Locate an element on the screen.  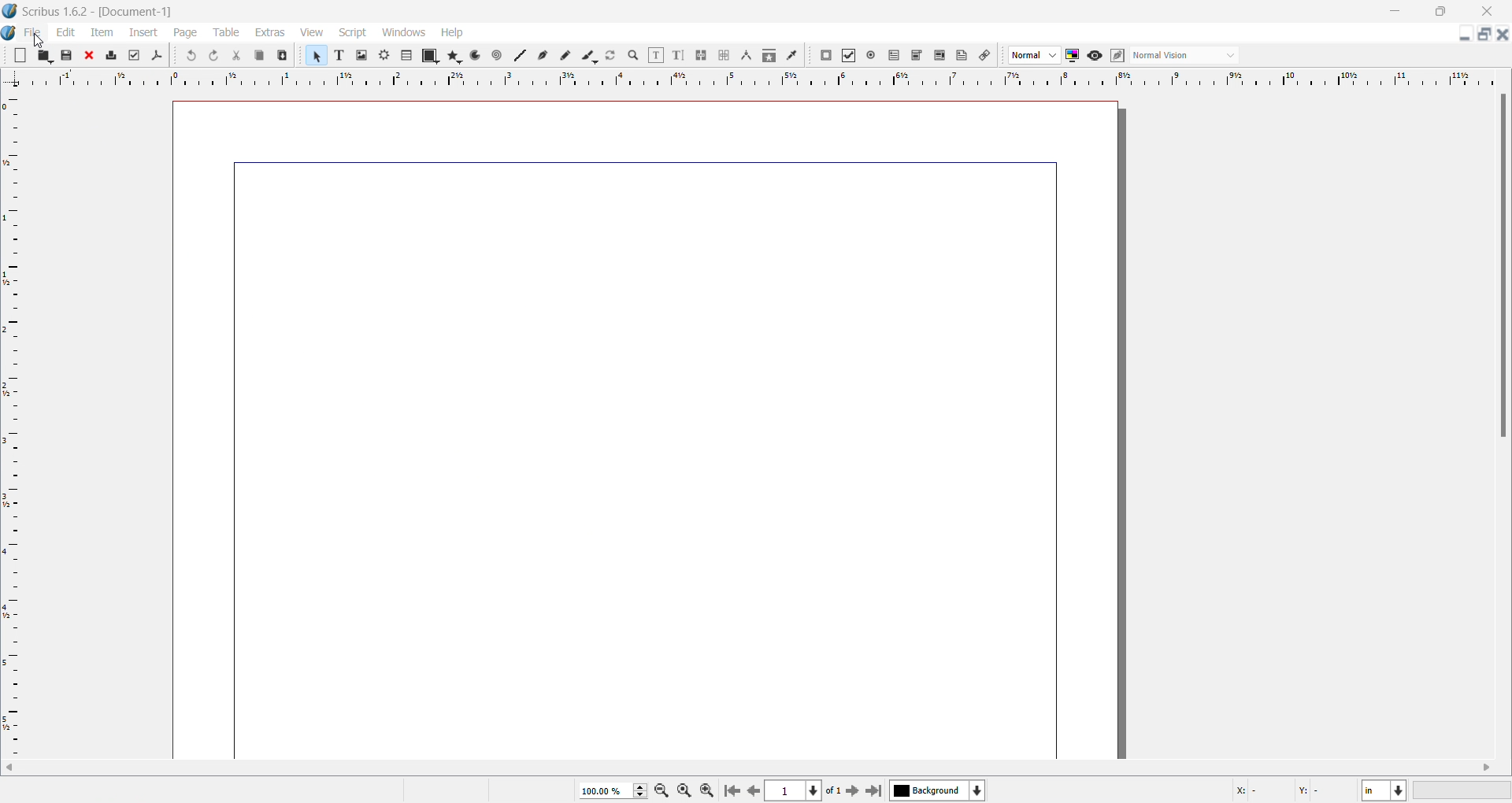
icon is located at coordinates (847, 56).